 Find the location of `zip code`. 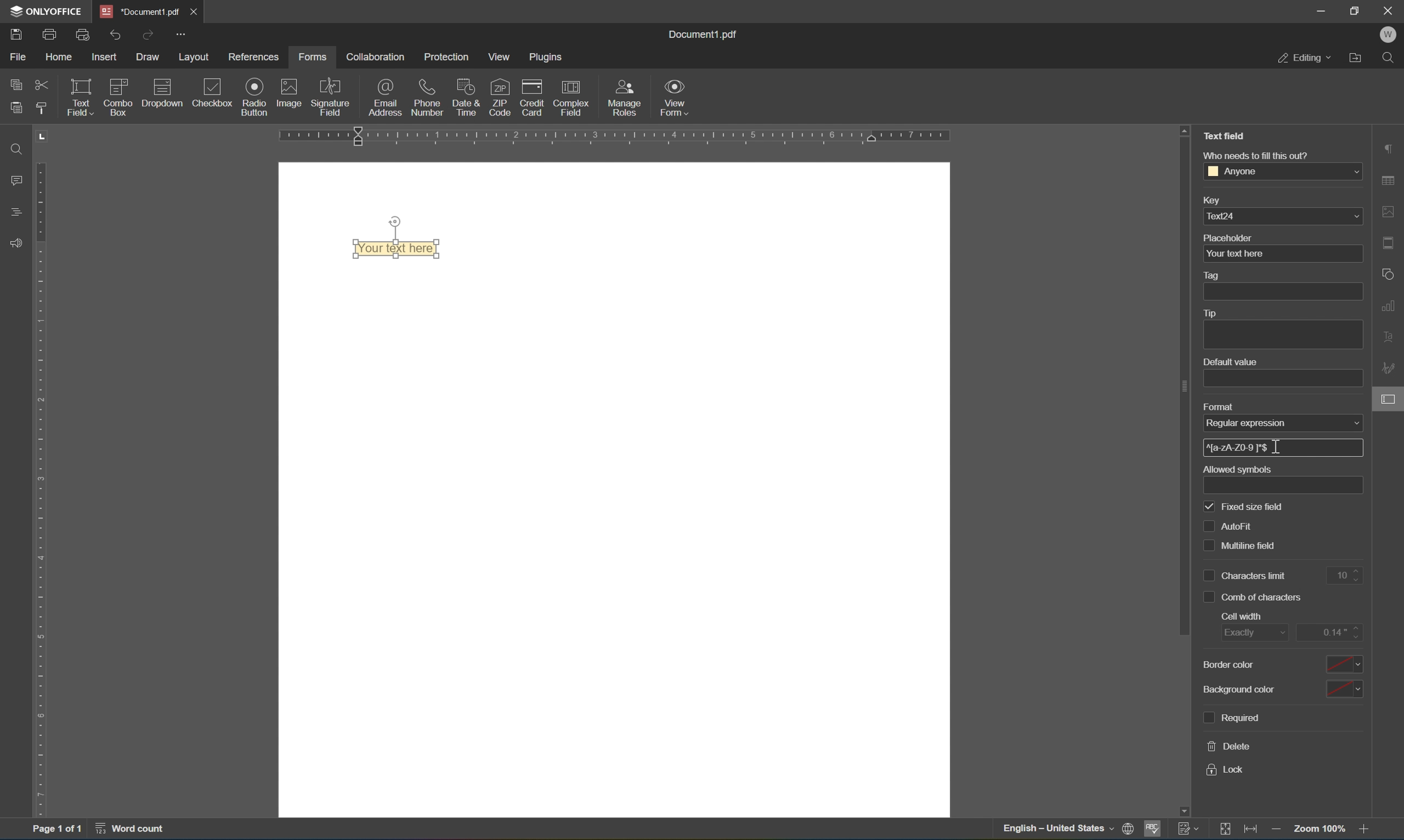

zip code is located at coordinates (500, 97).